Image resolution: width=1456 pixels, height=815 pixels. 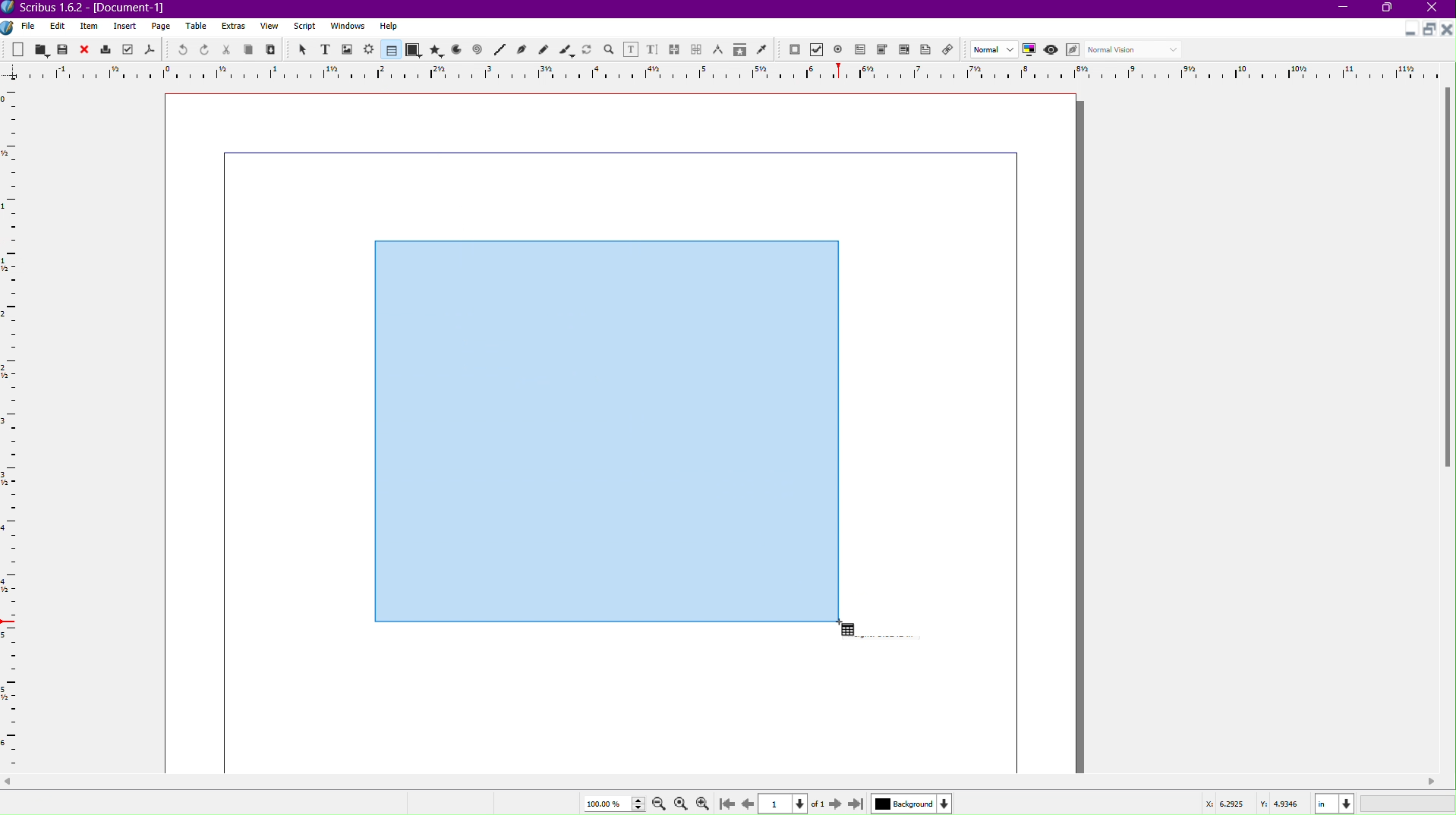 What do you see at coordinates (952, 51) in the screenshot?
I see `Link Annotation` at bounding box center [952, 51].